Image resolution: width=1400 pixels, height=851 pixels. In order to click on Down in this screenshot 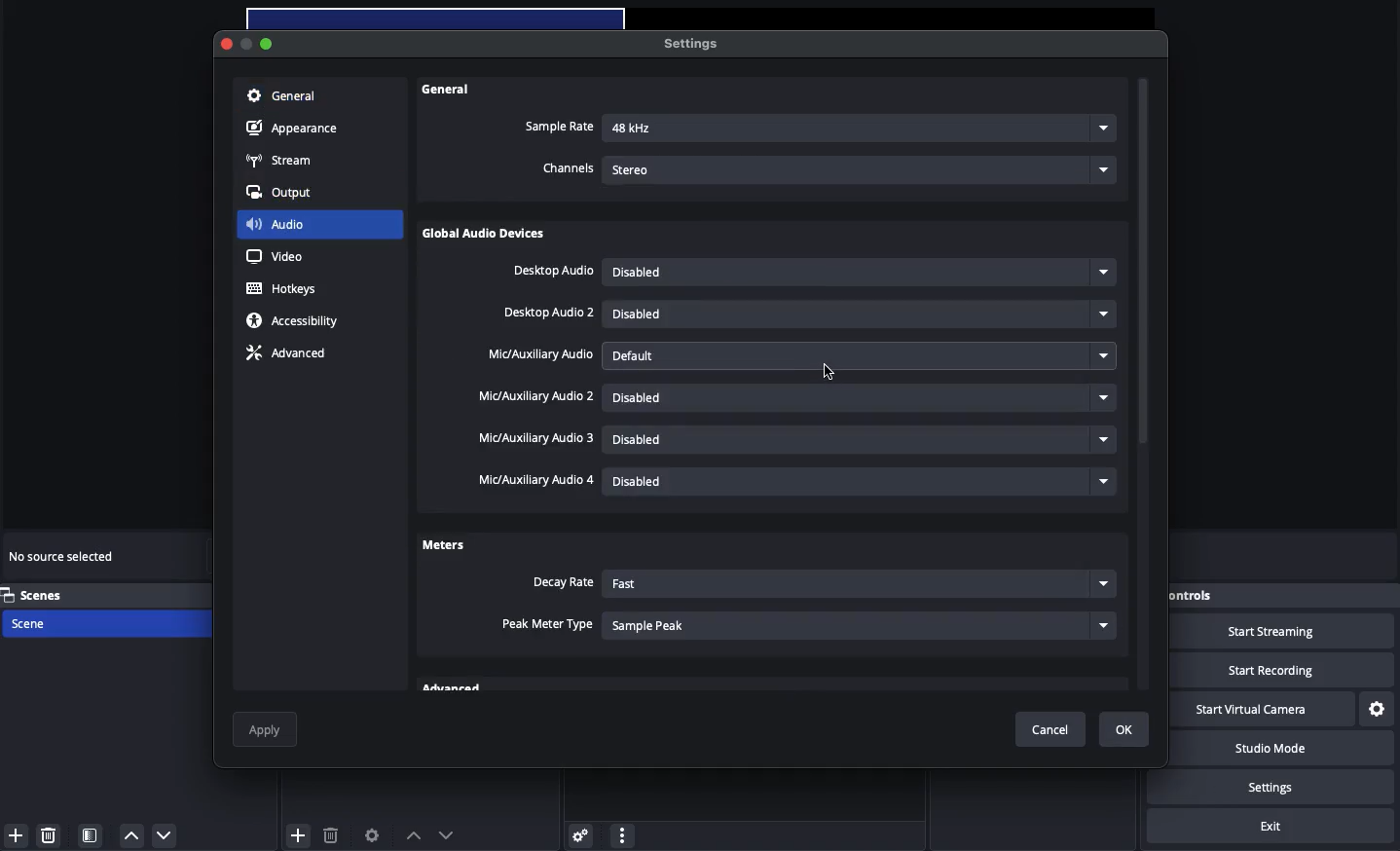, I will do `click(166, 834)`.